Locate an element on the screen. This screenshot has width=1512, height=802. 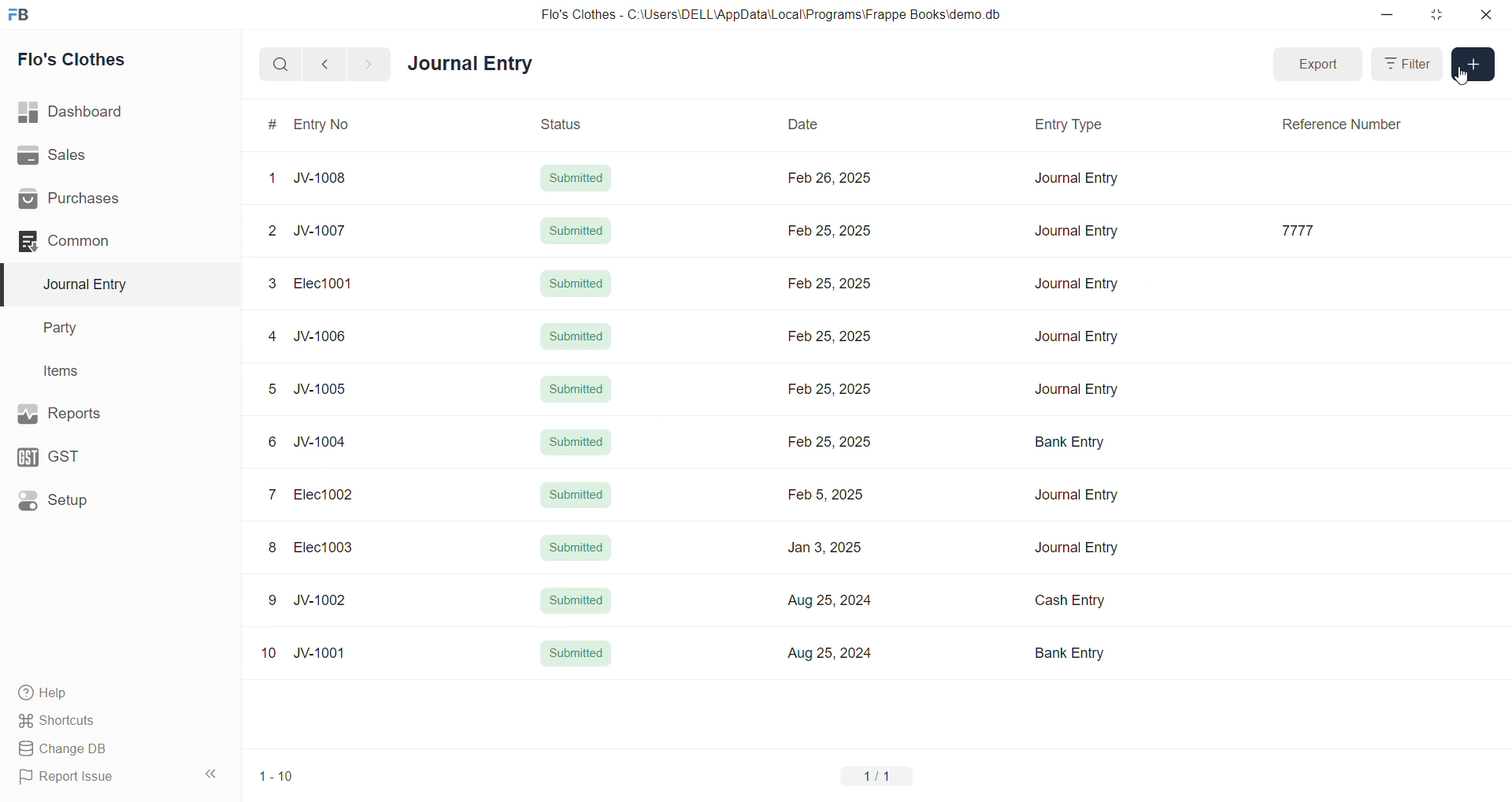
Jan 3, 2025 is located at coordinates (828, 547).